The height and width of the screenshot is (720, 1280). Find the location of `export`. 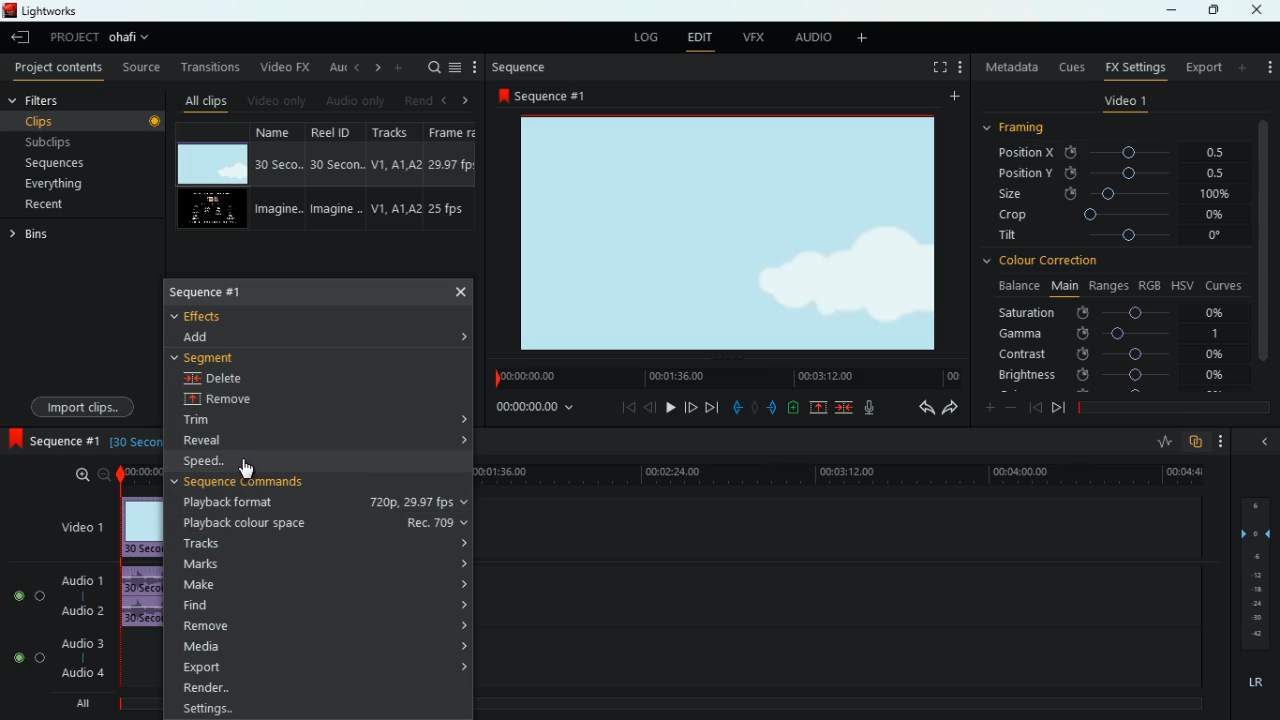

export is located at coordinates (231, 669).